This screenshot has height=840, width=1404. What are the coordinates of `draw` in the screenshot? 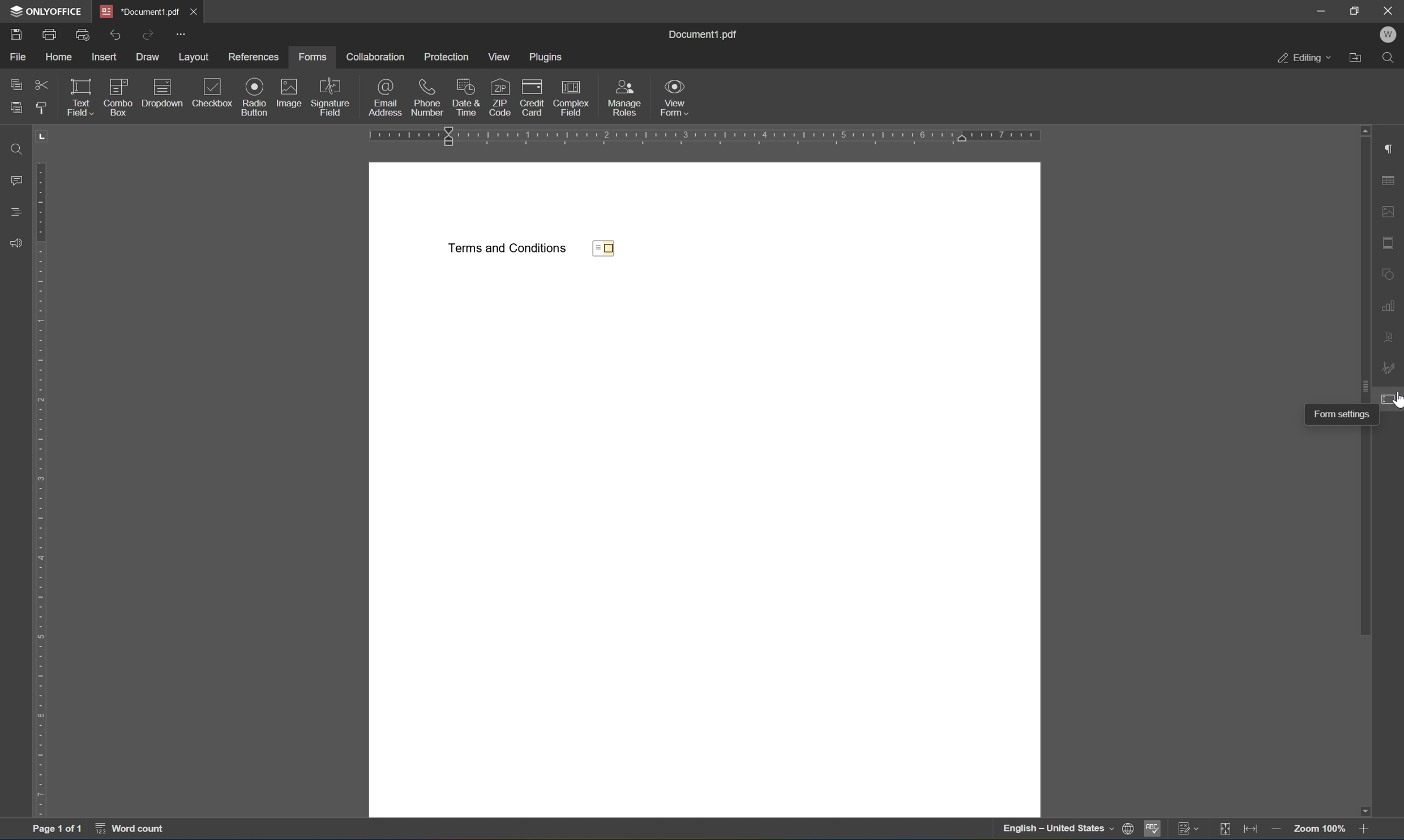 It's located at (149, 58).